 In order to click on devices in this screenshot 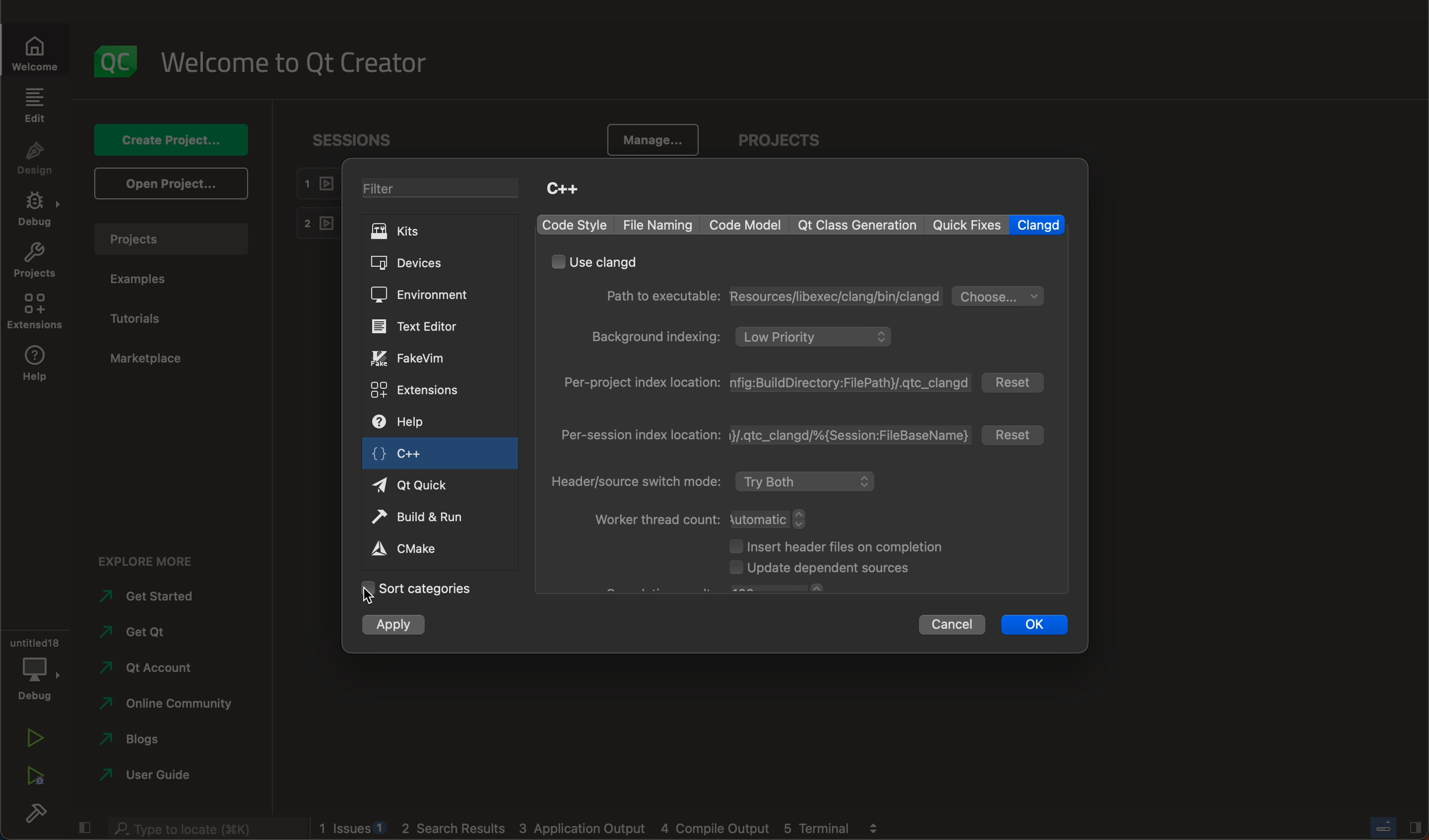, I will do `click(422, 264)`.